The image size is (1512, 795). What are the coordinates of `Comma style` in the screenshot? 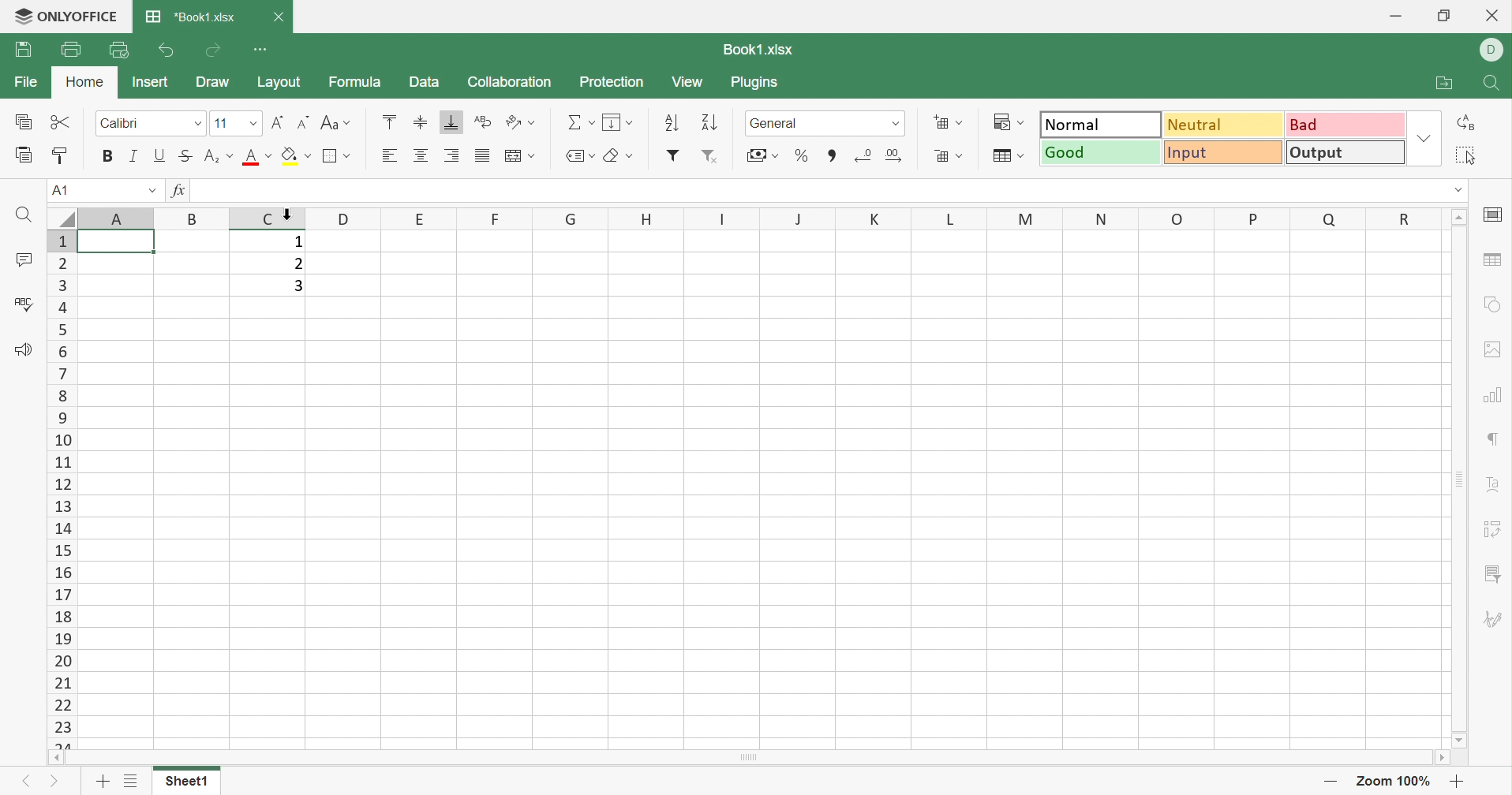 It's located at (835, 155).